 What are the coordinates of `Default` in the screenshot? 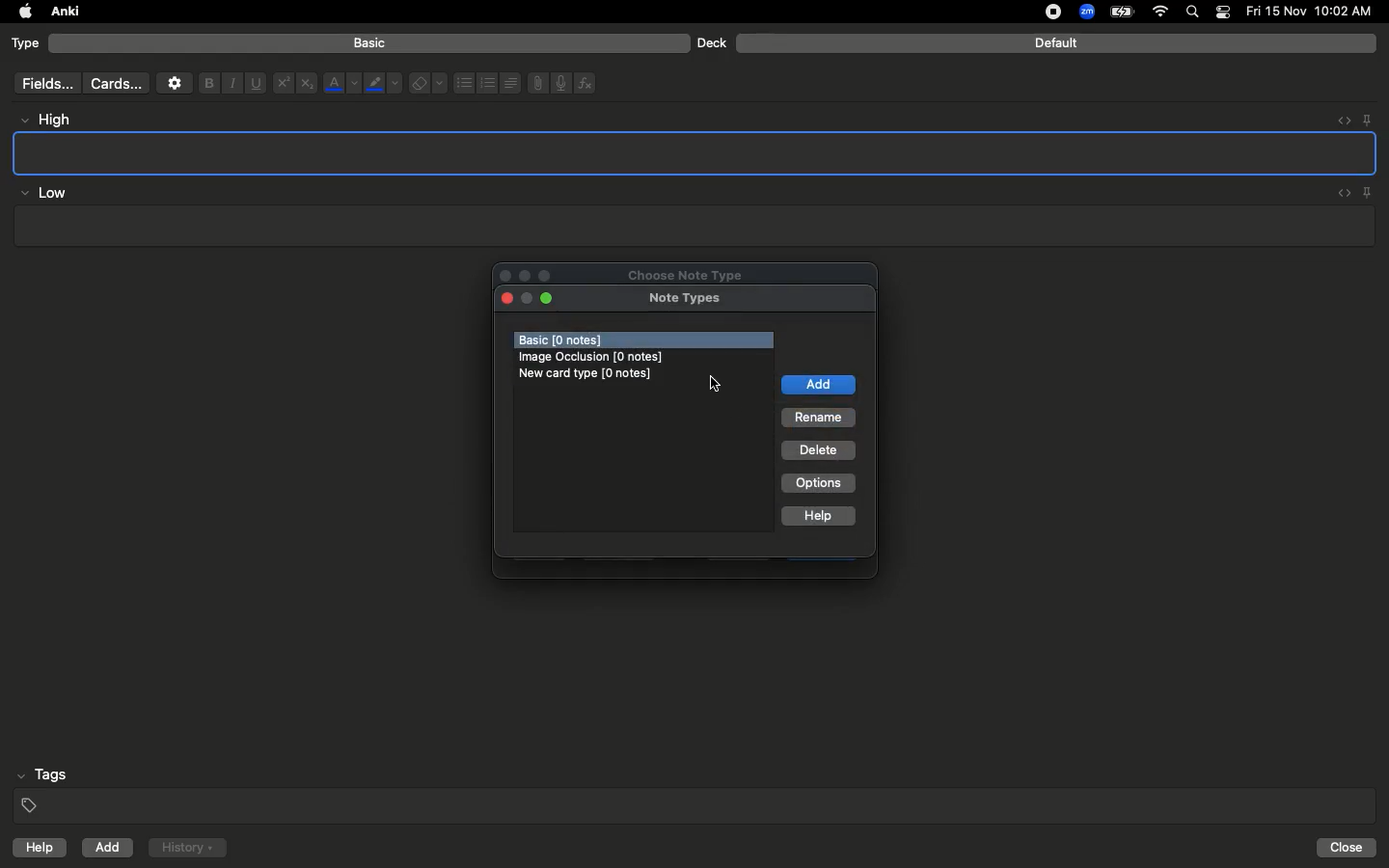 It's located at (1056, 43).